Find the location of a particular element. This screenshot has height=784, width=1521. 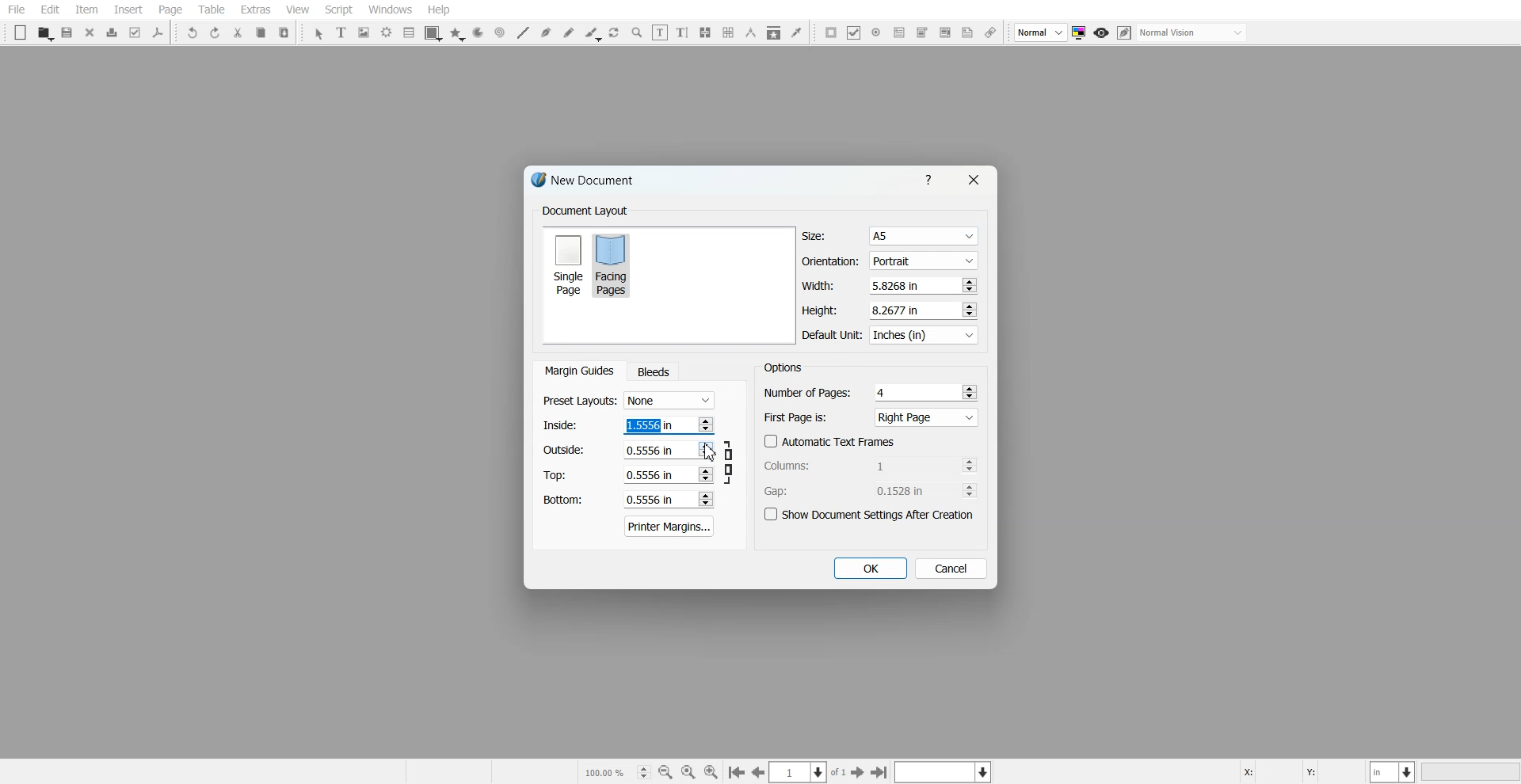

PDF Check Box is located at coordinates (854, 32).